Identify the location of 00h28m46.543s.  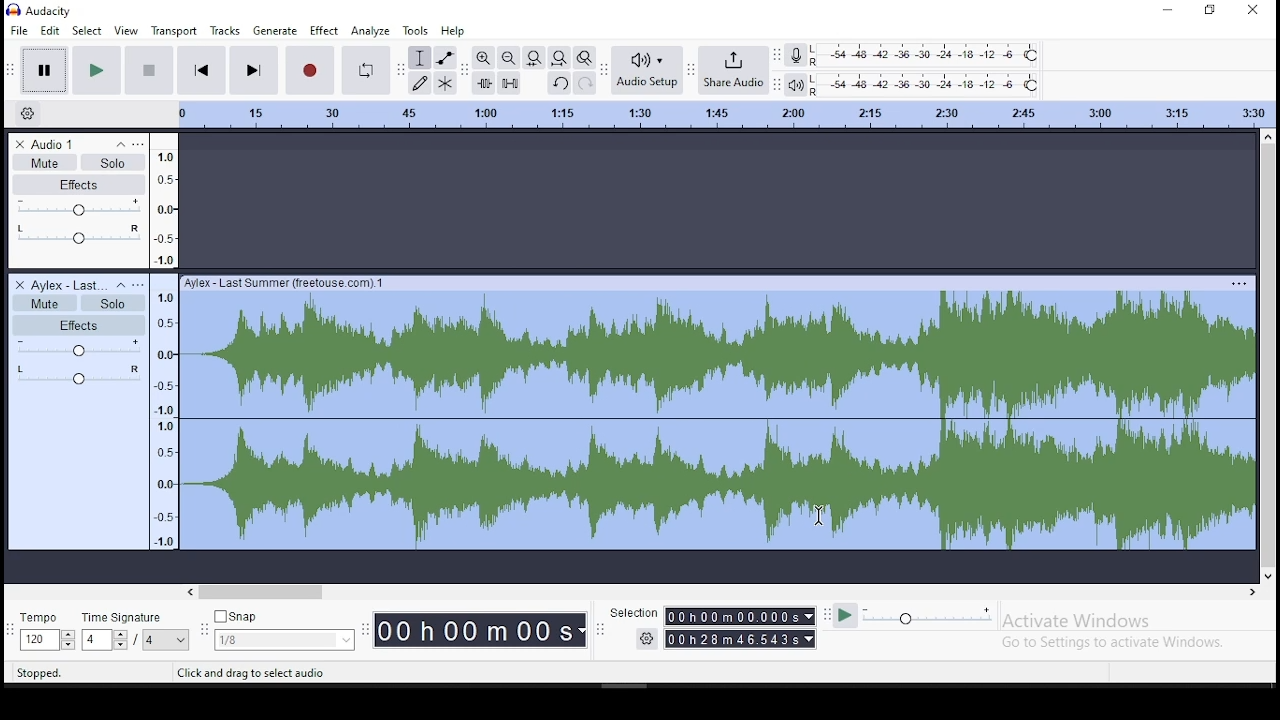
(740, 640).